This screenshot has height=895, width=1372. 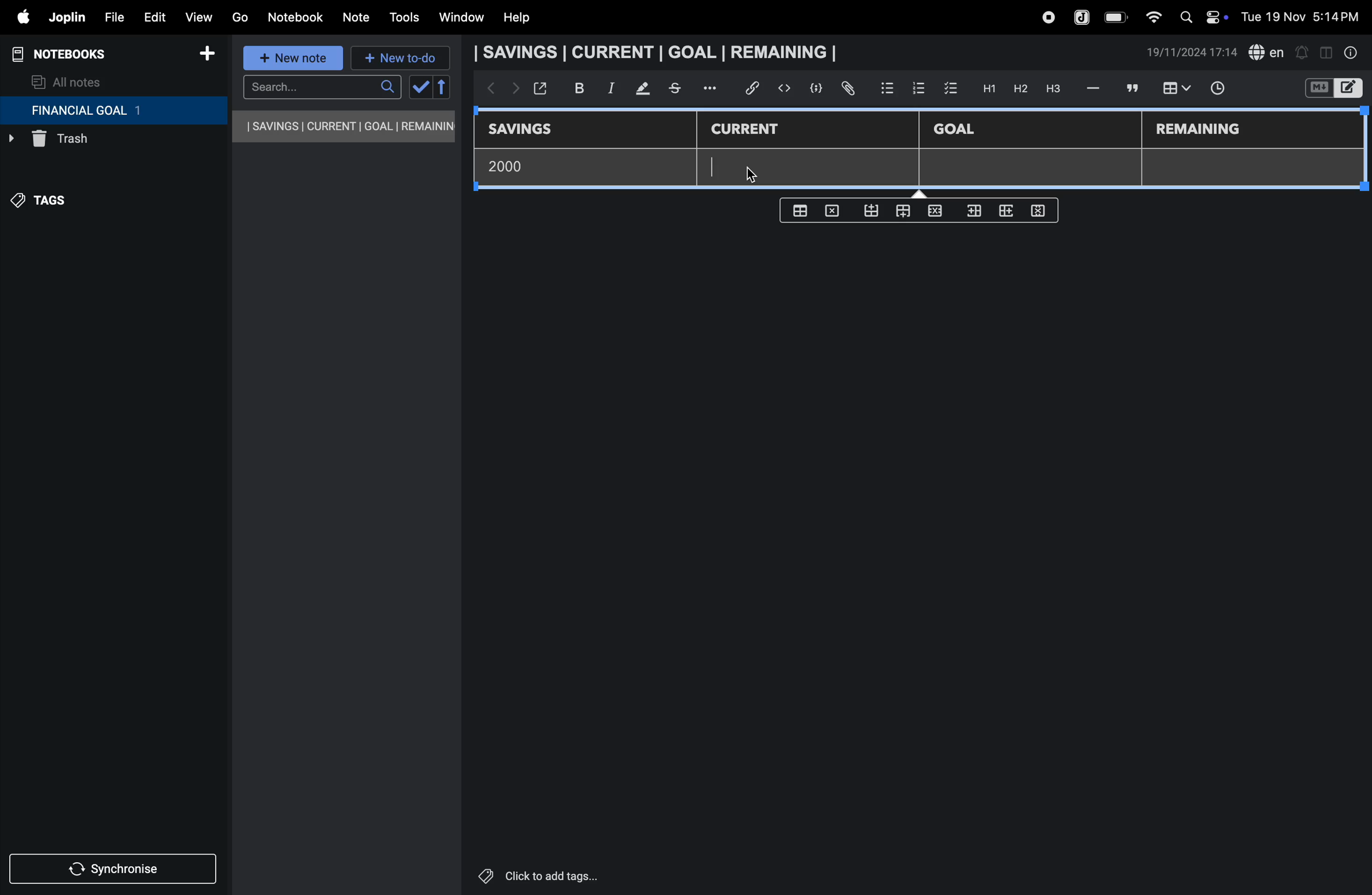 What do you see at coordinates (1225, 89) in the screenshot?
I see `time` at bounding box center [1225, 89].